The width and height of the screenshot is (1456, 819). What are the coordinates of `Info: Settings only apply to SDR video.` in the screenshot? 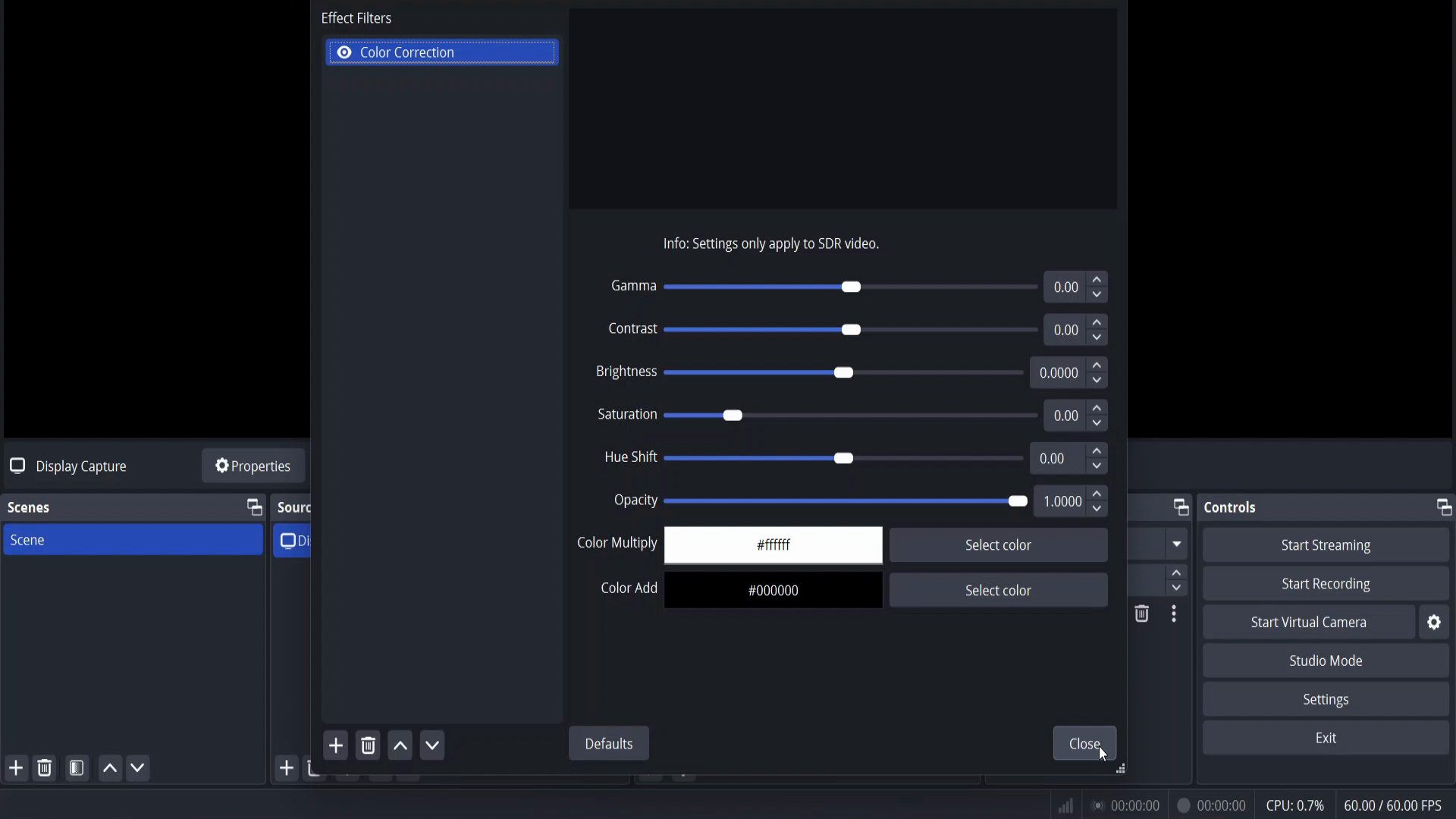 It's located at (771, 240).